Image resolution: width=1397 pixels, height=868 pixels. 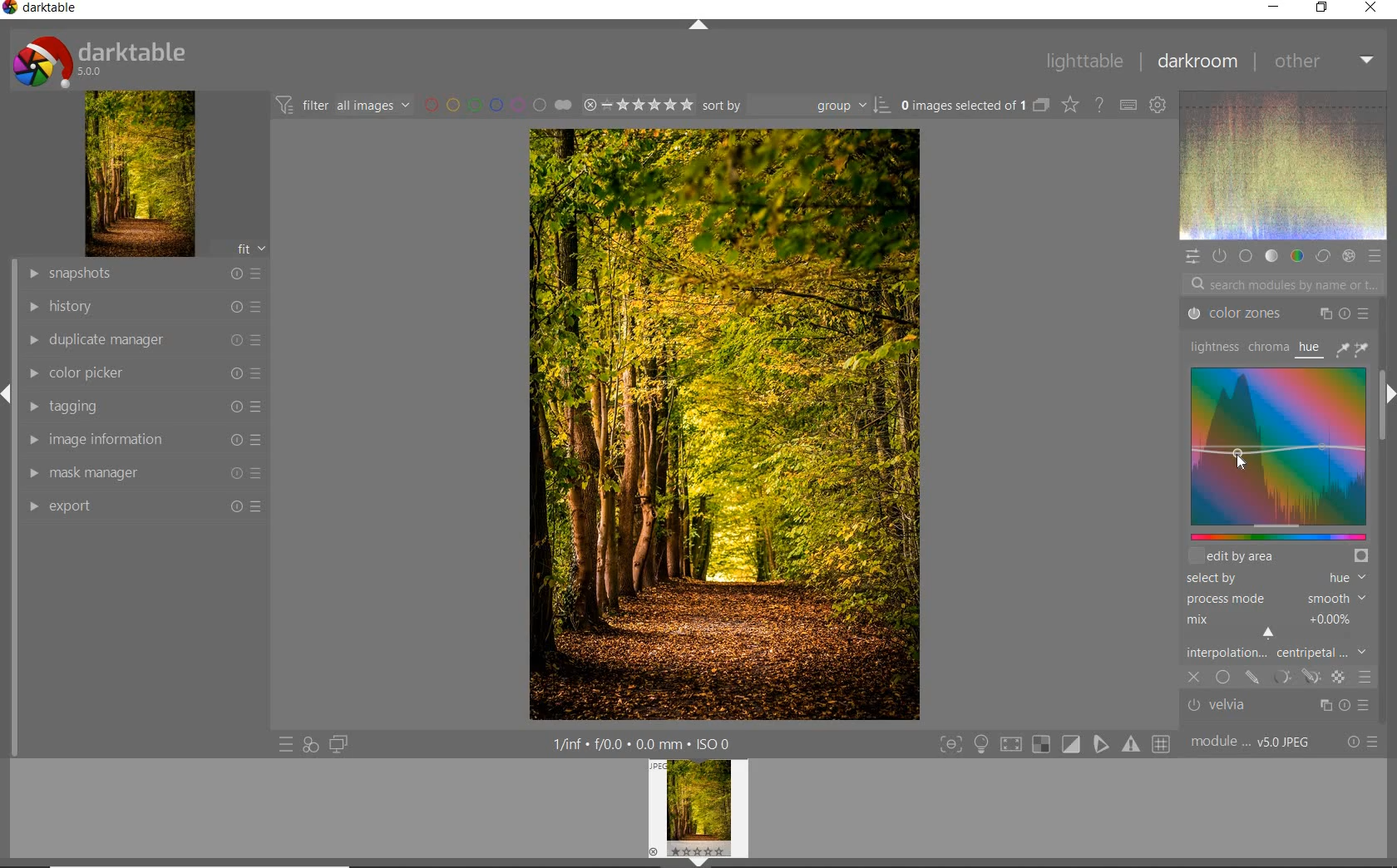 What do you see at coordinates (338, 747) in the screenshot?
I see `DISPLAY A SECOND DARKROOM IMAGE WINDOW` at bounding box center [338, 747].